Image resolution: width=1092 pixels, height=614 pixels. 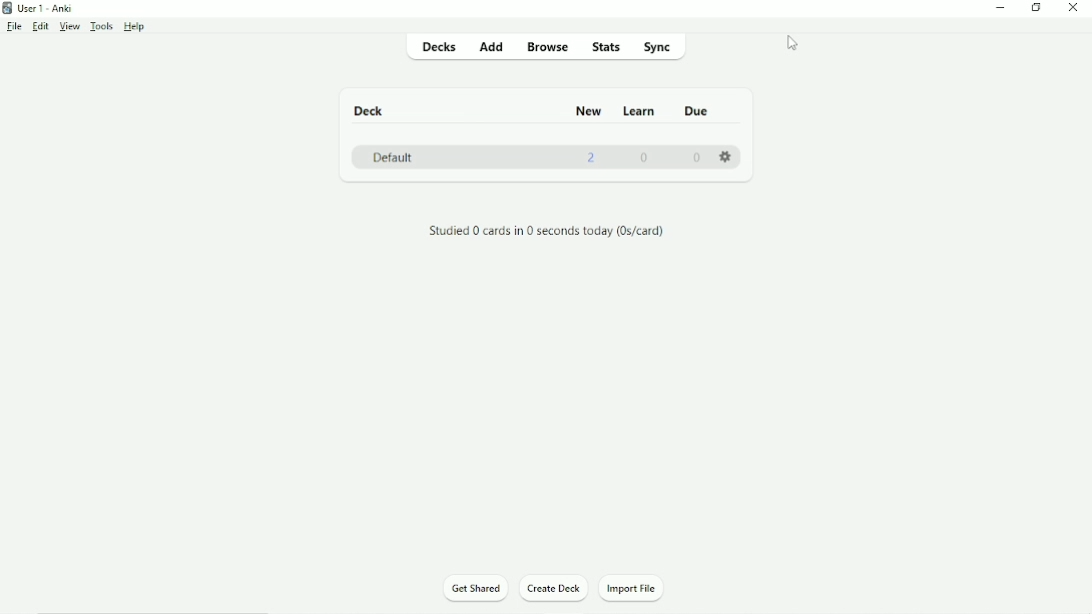 What do you see at coordinates (592, 157) in the screenshot?
I see `2` at bounding box center [592, 157].